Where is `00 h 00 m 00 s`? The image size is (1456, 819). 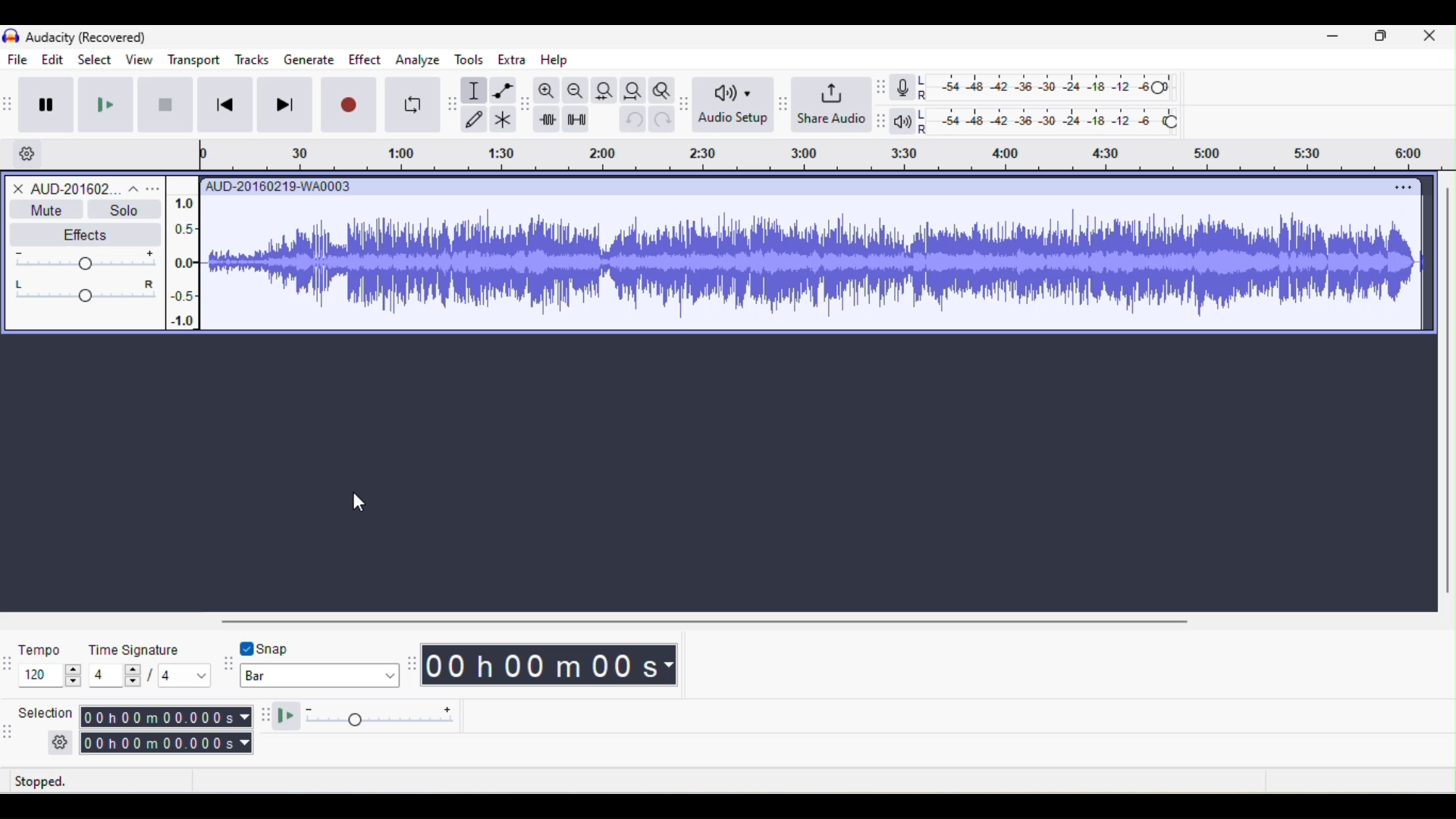 00 h 00 m 00 s is located at coordinates (549, 667).